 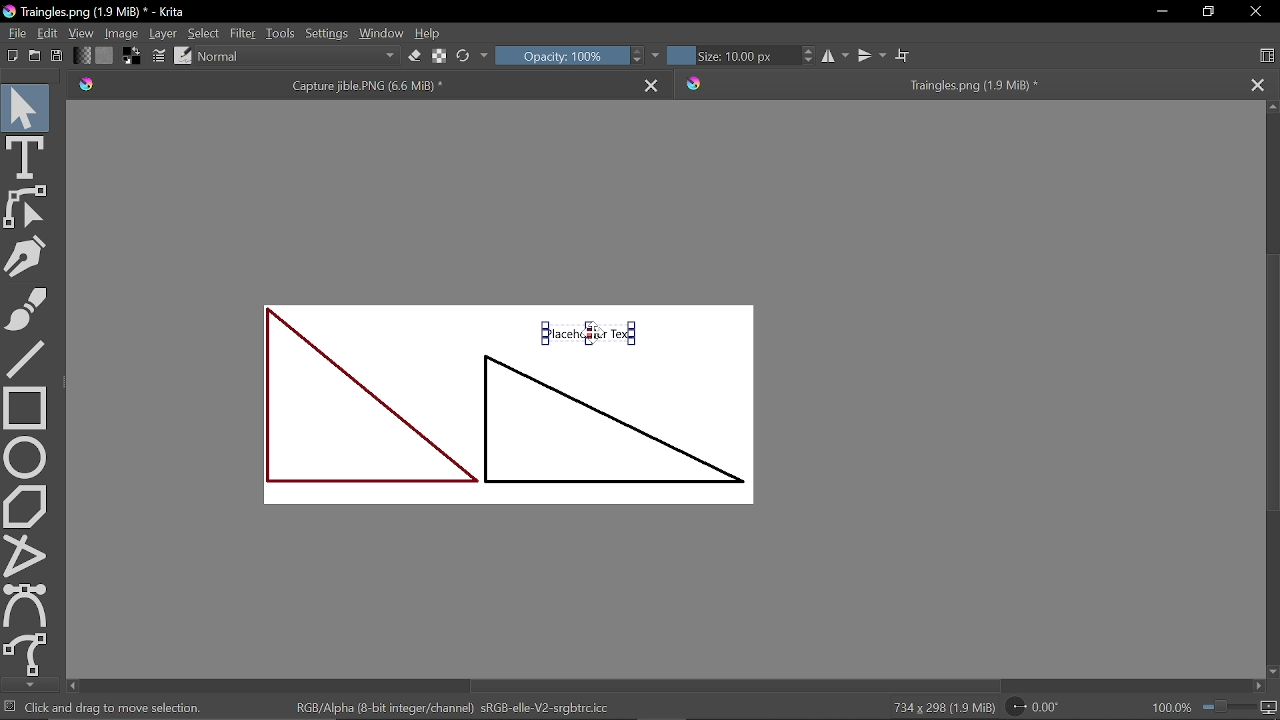 I want to click on Foreground color, so click(x=132, y=56).